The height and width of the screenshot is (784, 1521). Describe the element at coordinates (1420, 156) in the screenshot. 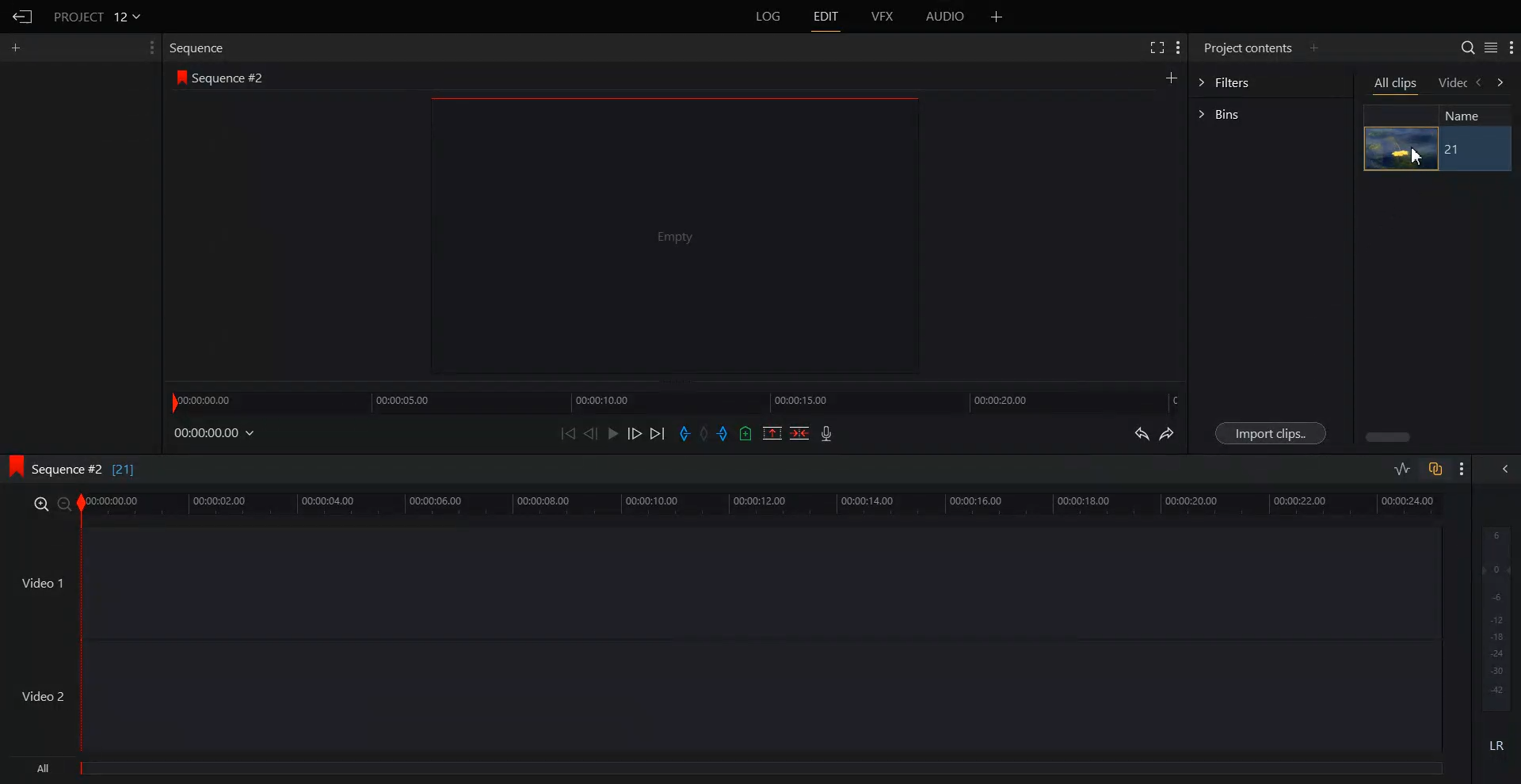

I see `Cursor` at that location.